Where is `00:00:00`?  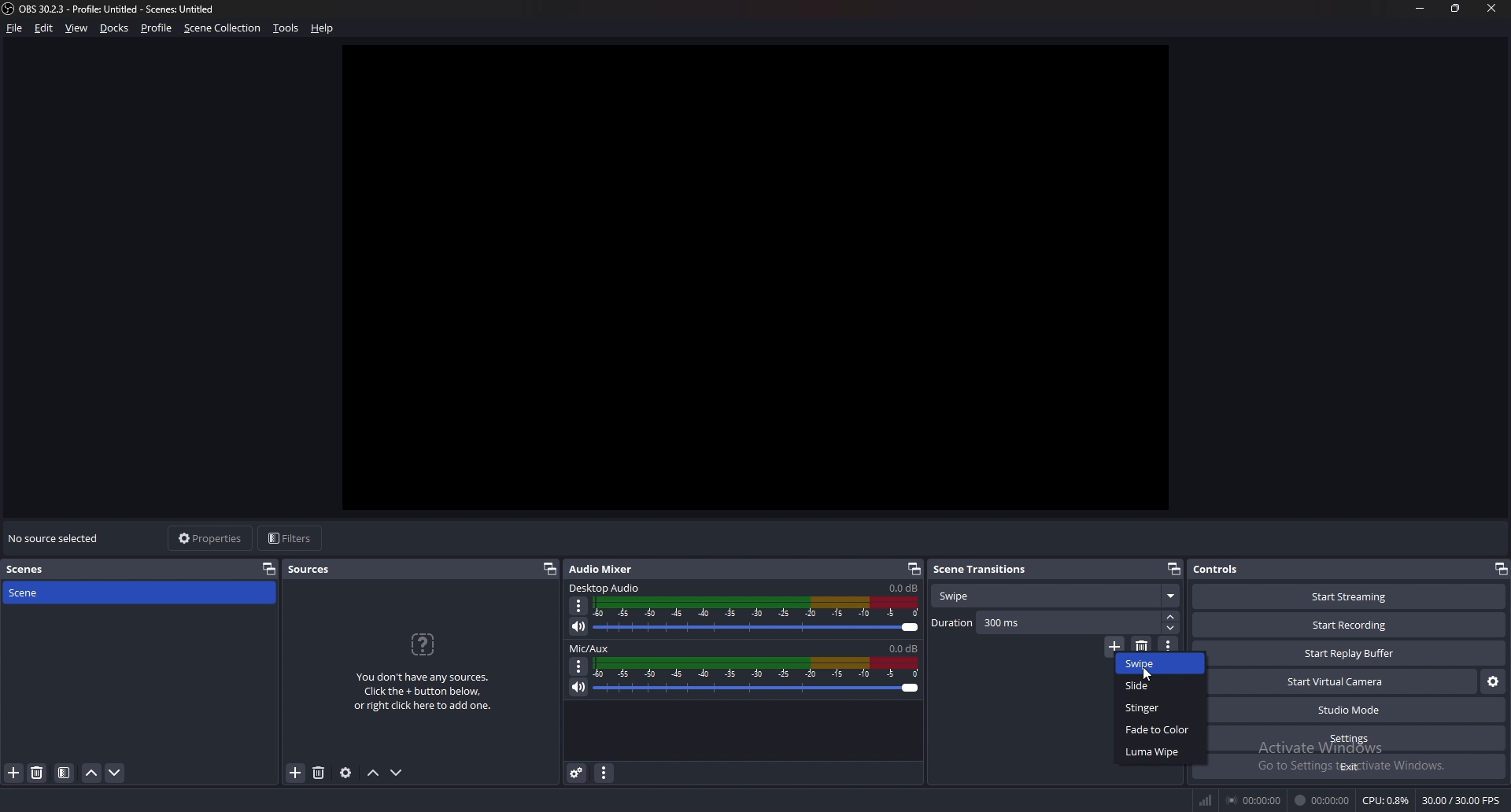 00:00:00 is located at coordinates (1322, 801).